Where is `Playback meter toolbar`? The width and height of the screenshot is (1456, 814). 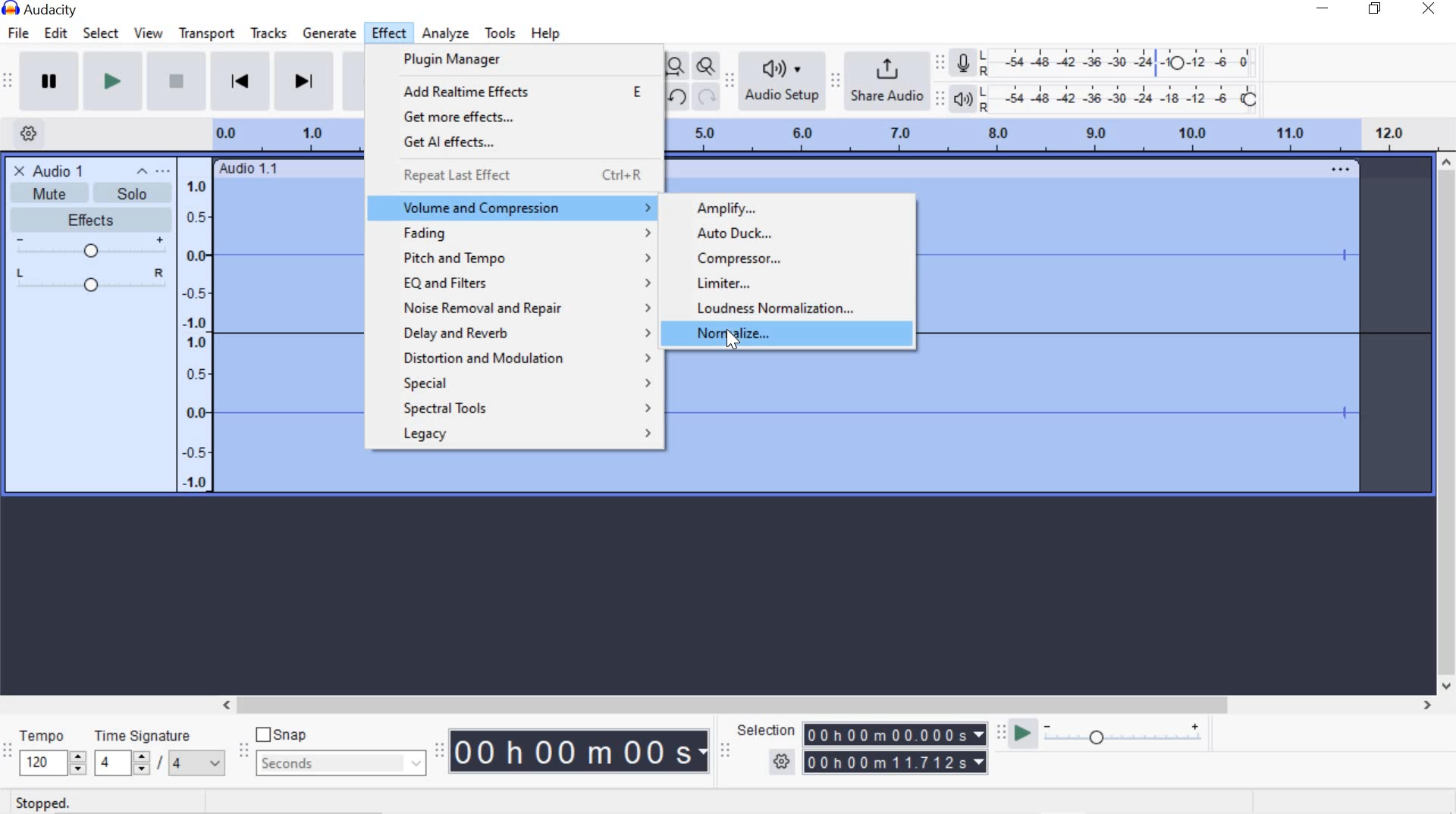 Playback meter toolbar is located at coordinates (943, 97).